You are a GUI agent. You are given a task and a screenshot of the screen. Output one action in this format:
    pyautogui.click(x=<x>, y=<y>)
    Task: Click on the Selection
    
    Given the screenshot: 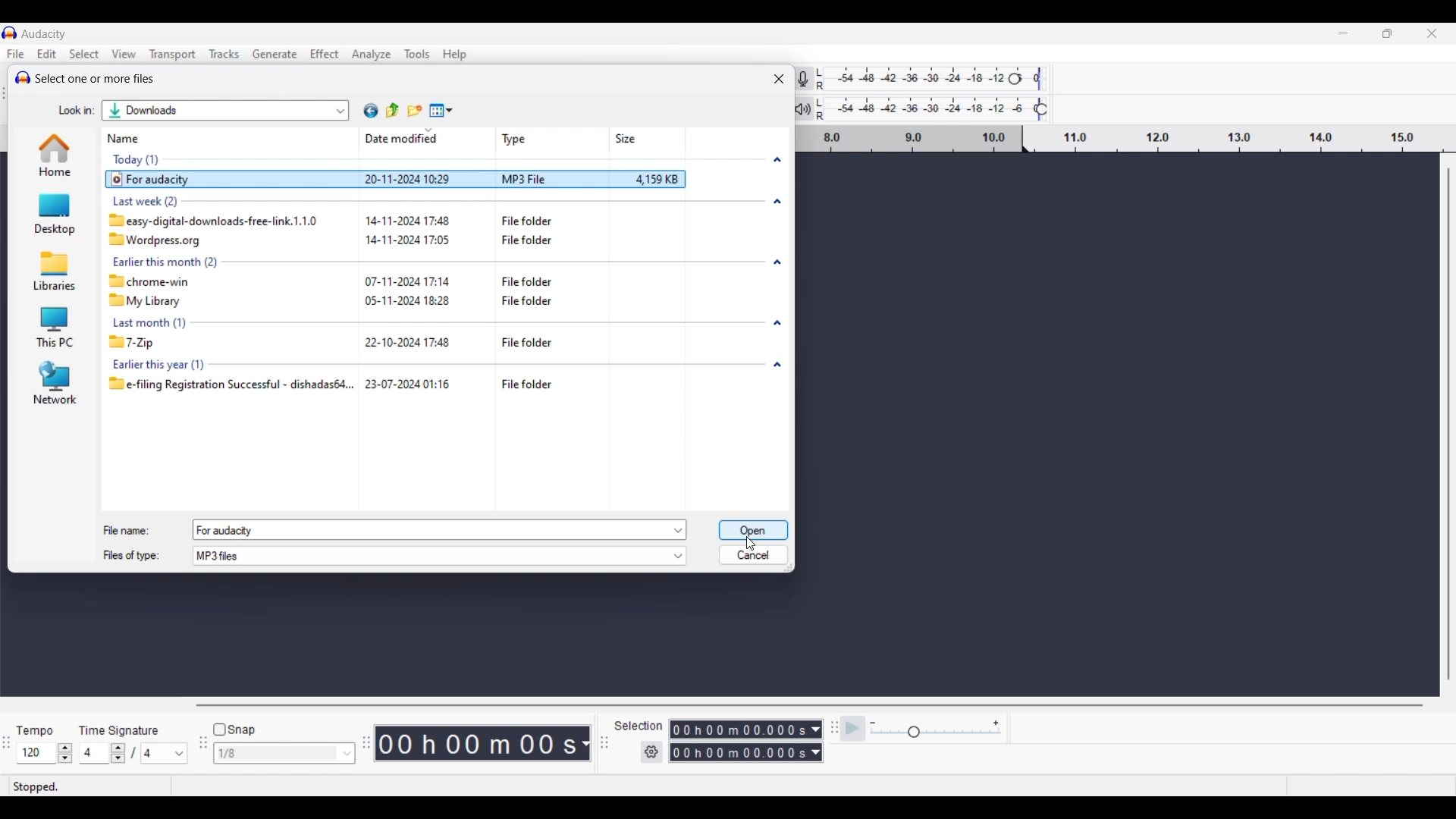 What is the action you would take?
    pyautogui.click(x=639, y=726)
    